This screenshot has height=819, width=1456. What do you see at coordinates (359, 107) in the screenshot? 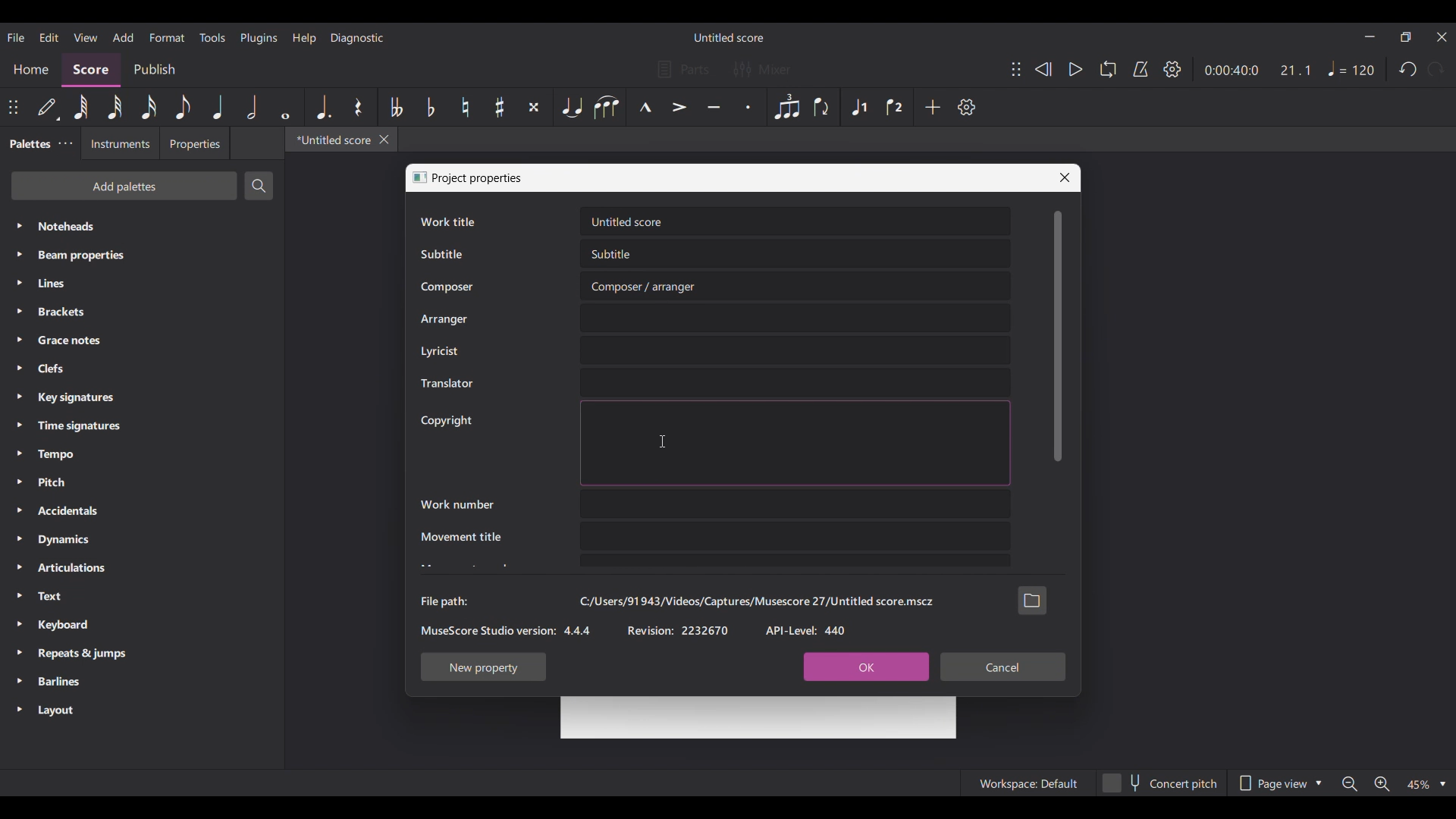
I see `Rest` at bounding box center [359, 107].